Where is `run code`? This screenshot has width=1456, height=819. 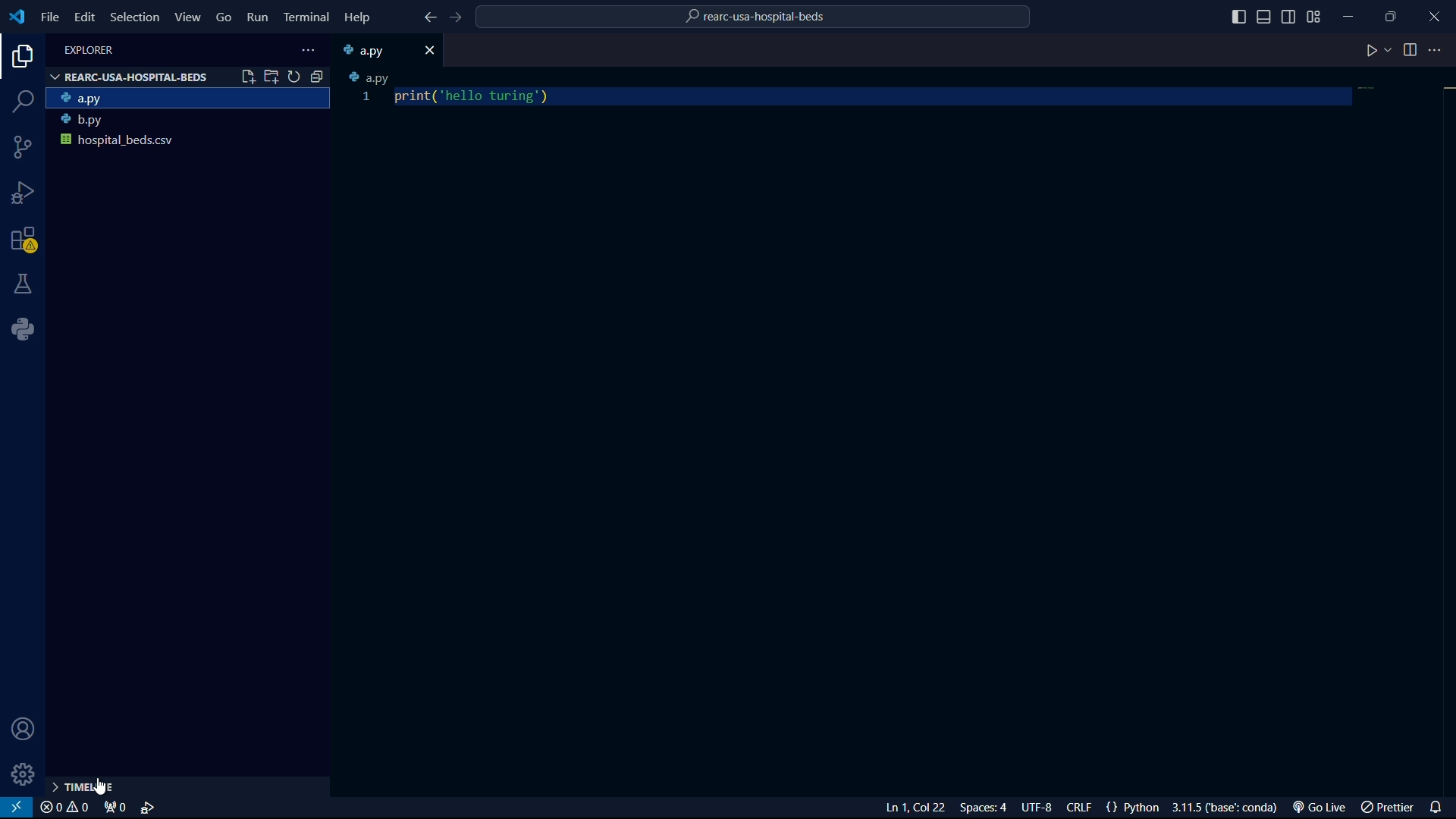 run code is located at coordinates (1370, 52).